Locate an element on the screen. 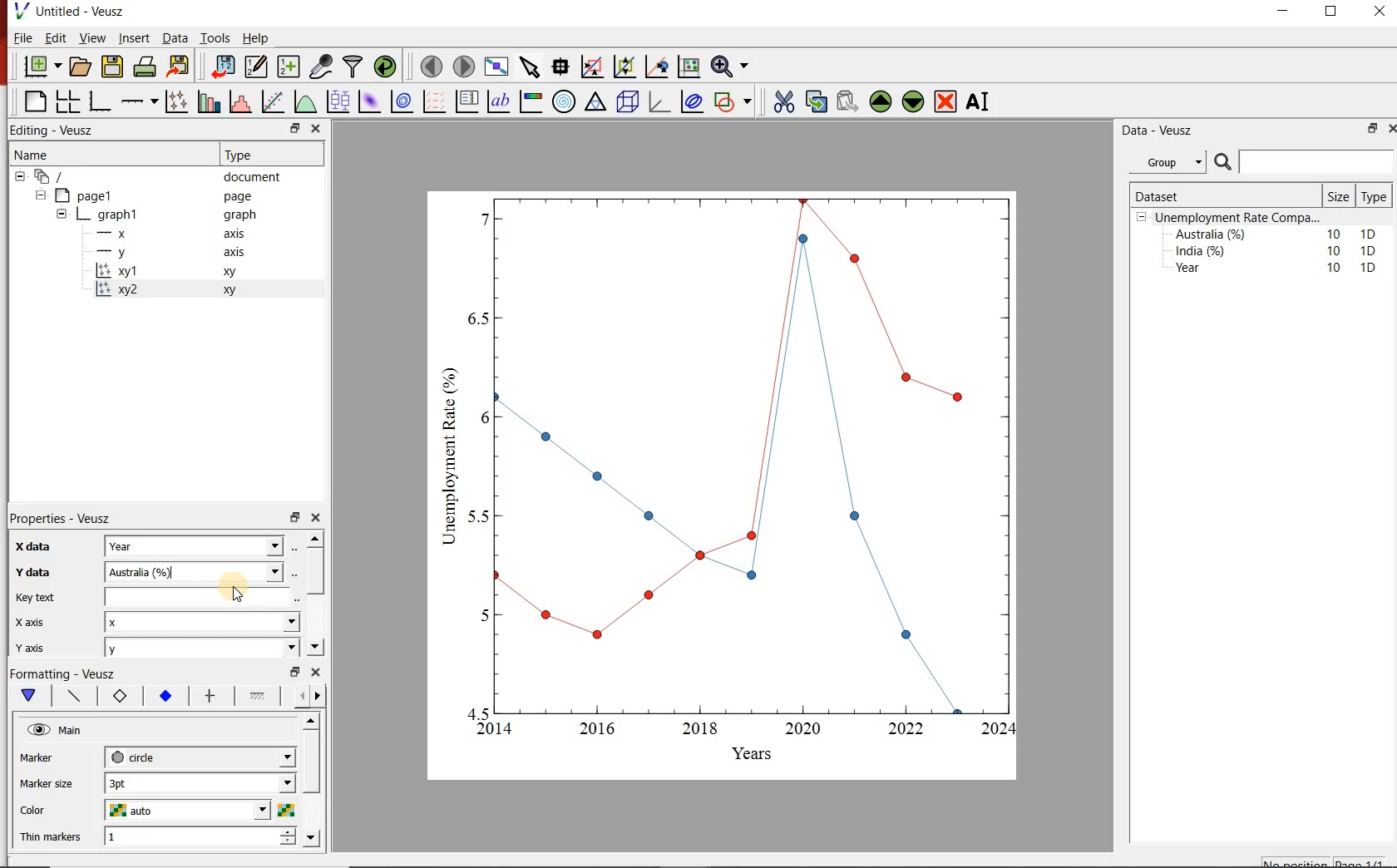 This screenshot has width=1397, height=868. move to previous page is located at coordinates (432, 65).